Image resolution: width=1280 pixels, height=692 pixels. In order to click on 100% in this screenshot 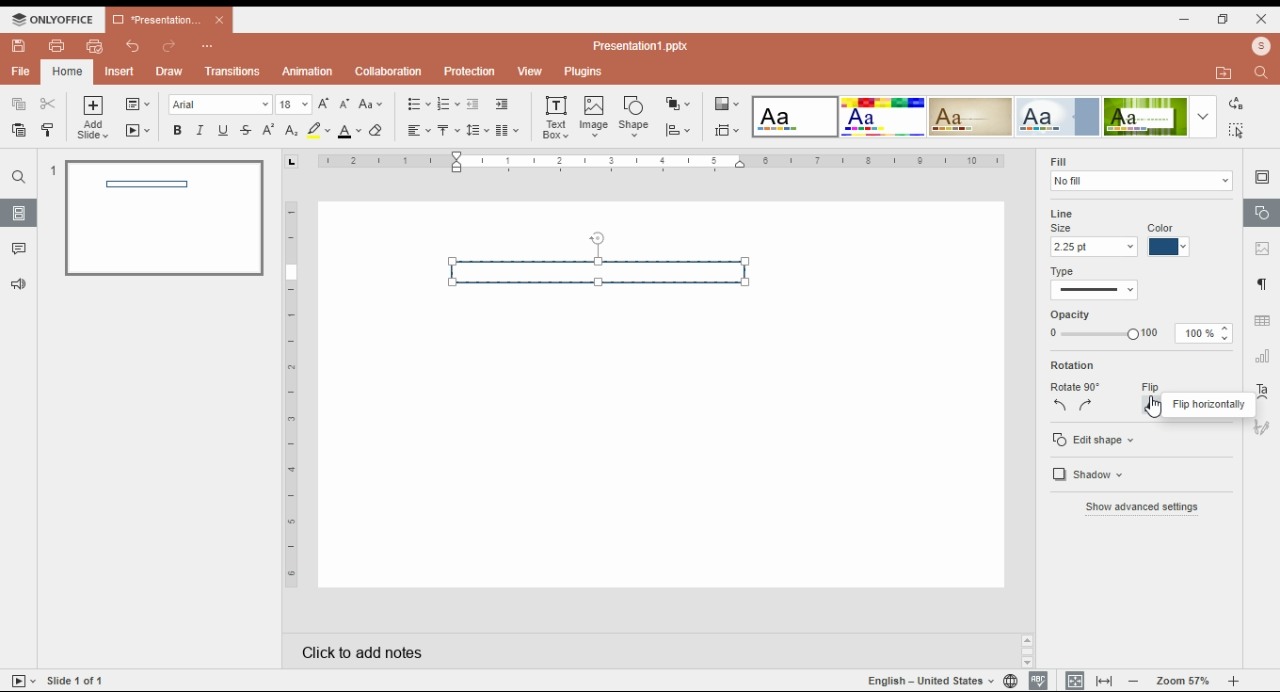, I will do `click(1196, 333)`.